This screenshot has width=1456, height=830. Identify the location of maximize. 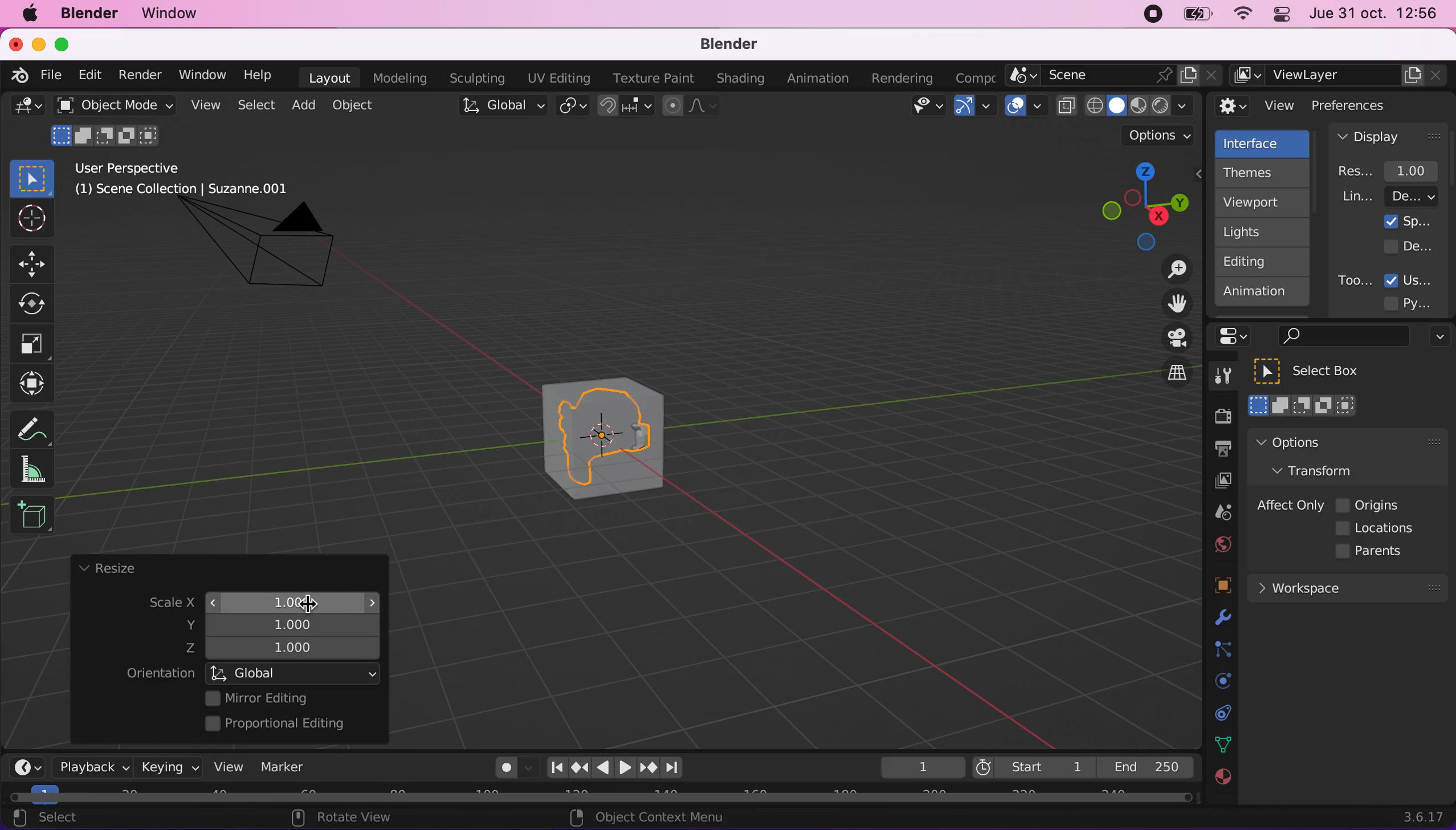
(68, 44).